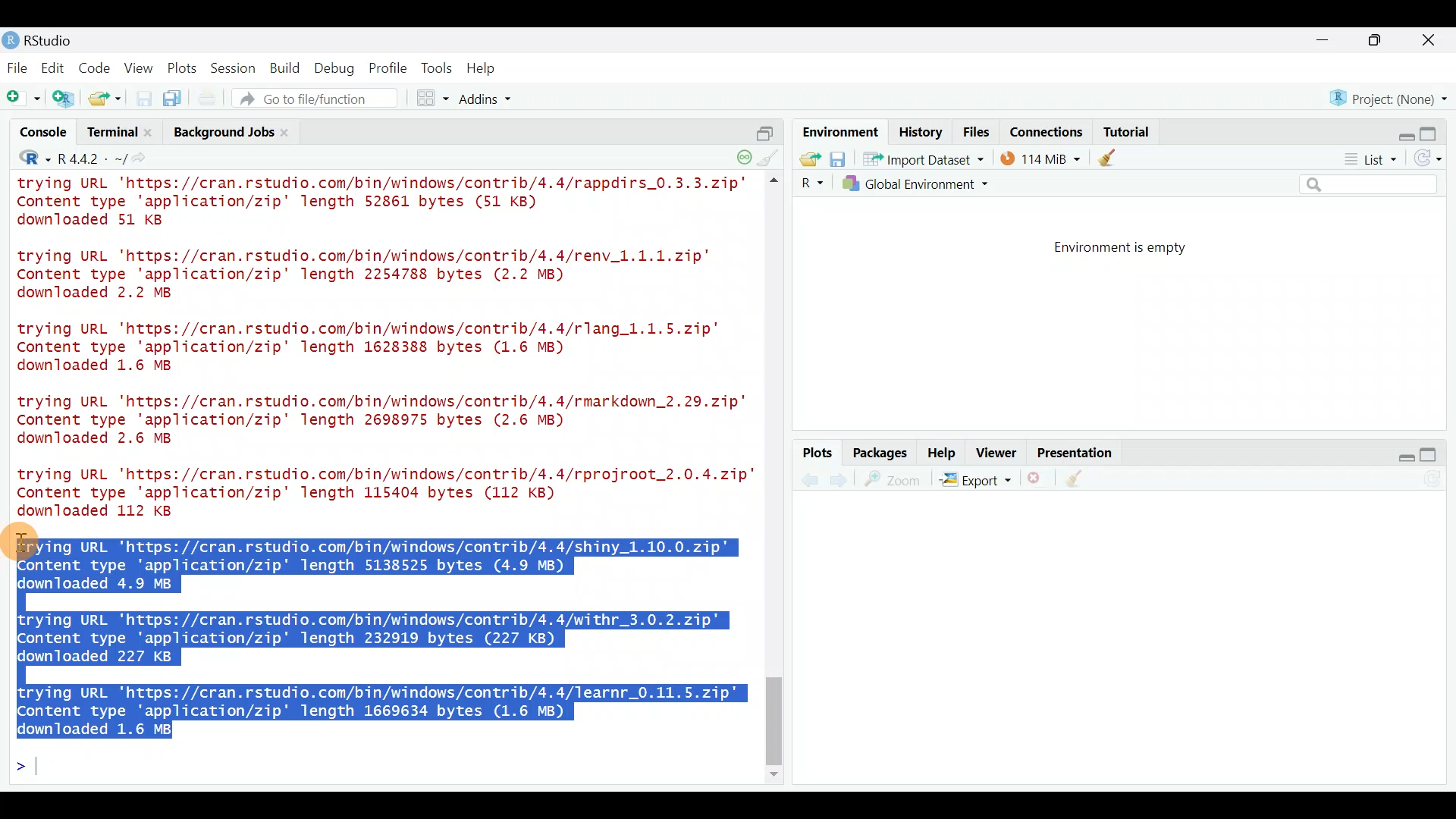 The width and height of the screenshot is (1456, 819). What do you see at coordinates (434, 99) in the screenshot?
I see `Workspace panes` at bounding box center [434, 99].